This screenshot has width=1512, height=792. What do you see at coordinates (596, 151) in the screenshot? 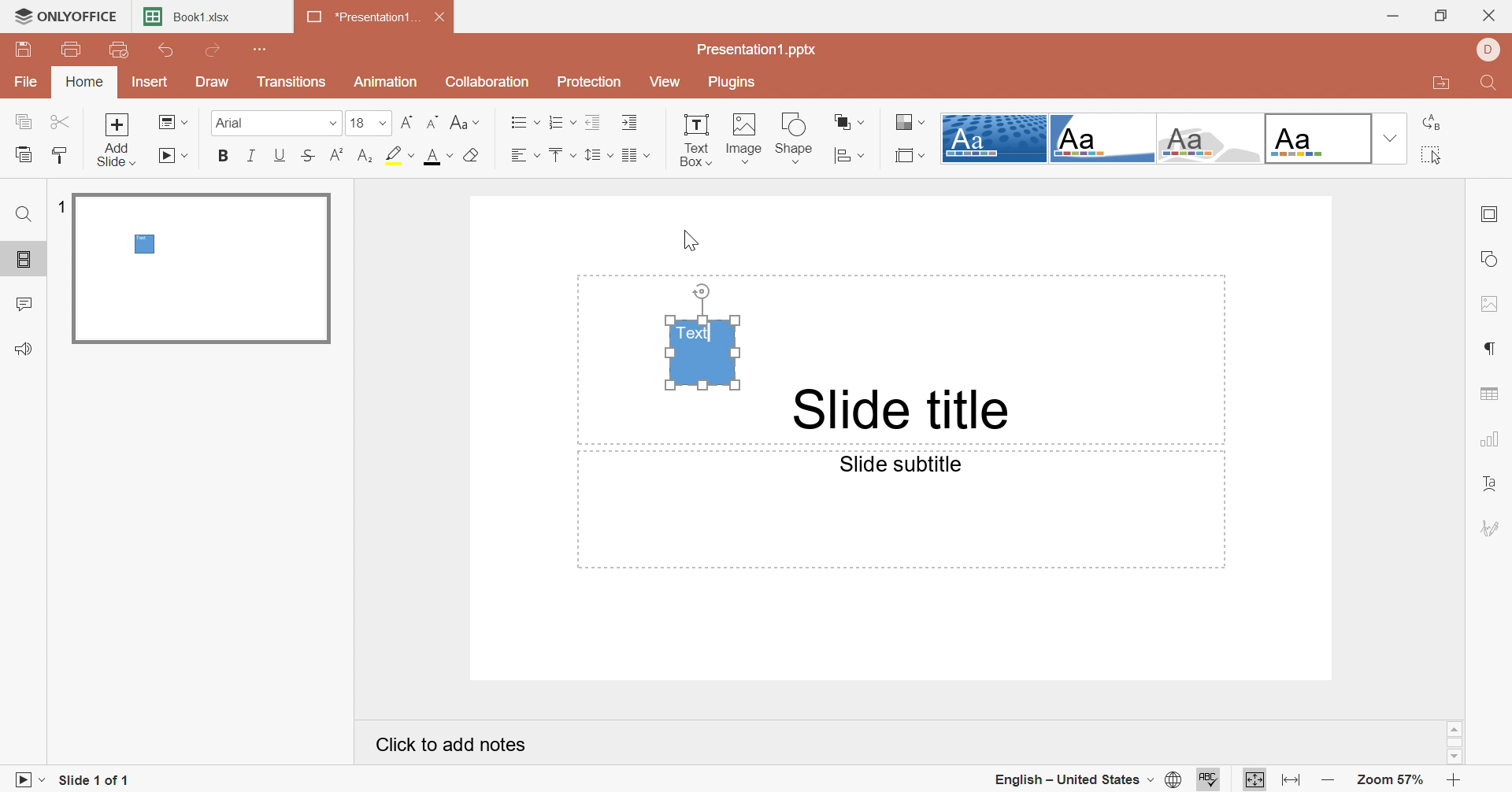
I see `Line spacing` at bounding box center [596, 151].